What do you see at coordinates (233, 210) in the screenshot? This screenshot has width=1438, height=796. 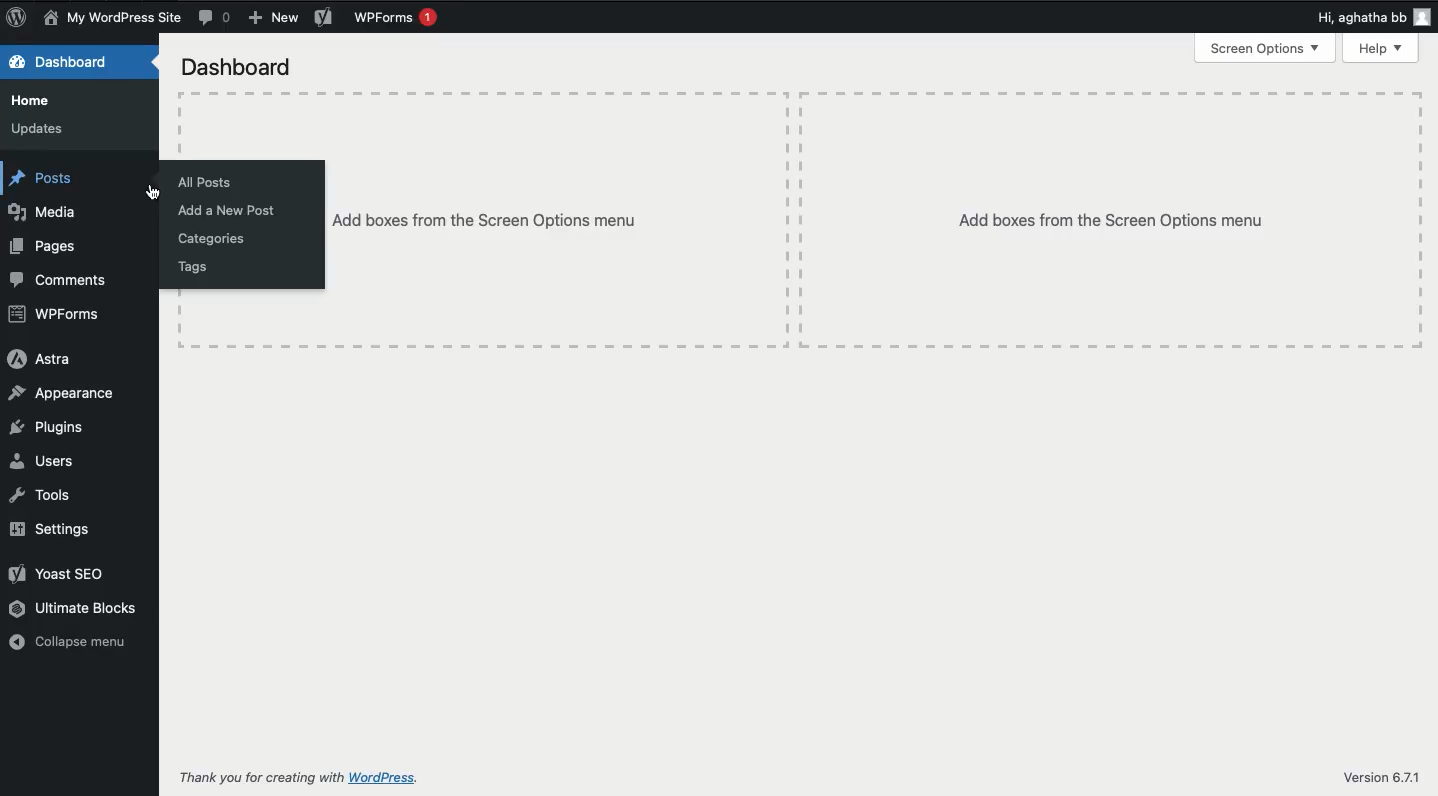 I see `Add a new post ` at bounding box center [233, 210].